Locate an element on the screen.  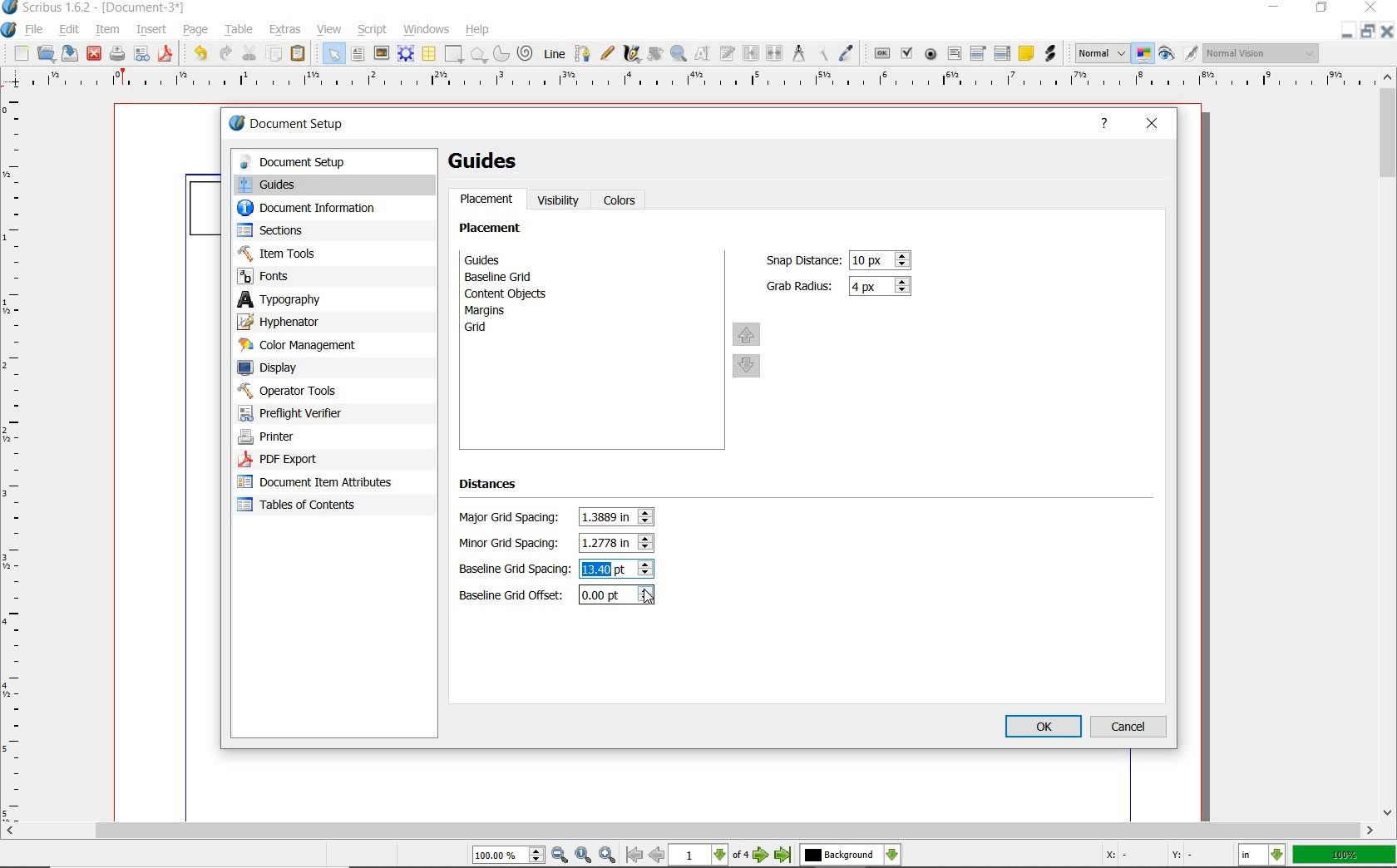
guides is located at coordinates (512, 259).